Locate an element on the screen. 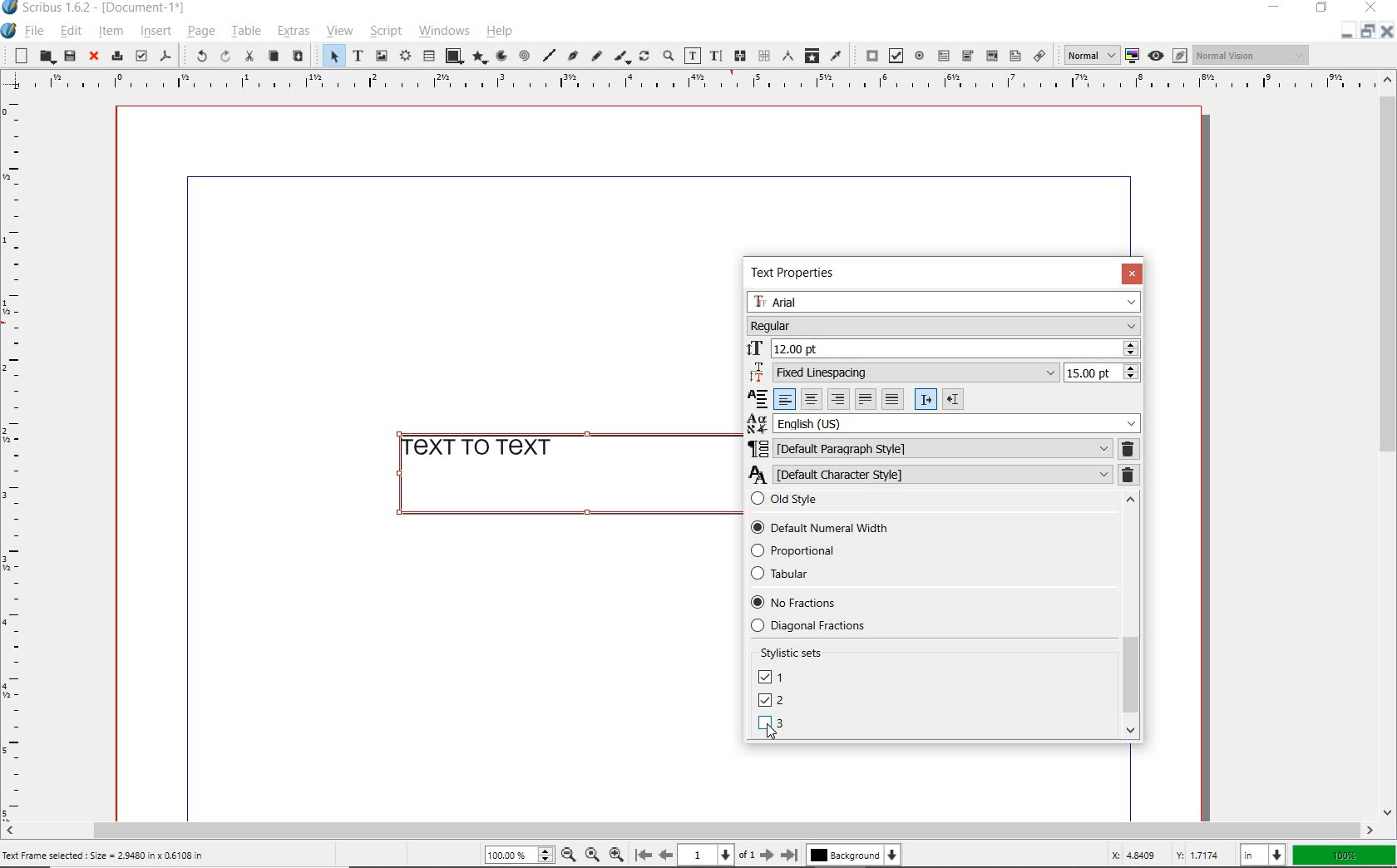 This screenshot has width=1397, height=868. page is located at coordinates (200, 32).